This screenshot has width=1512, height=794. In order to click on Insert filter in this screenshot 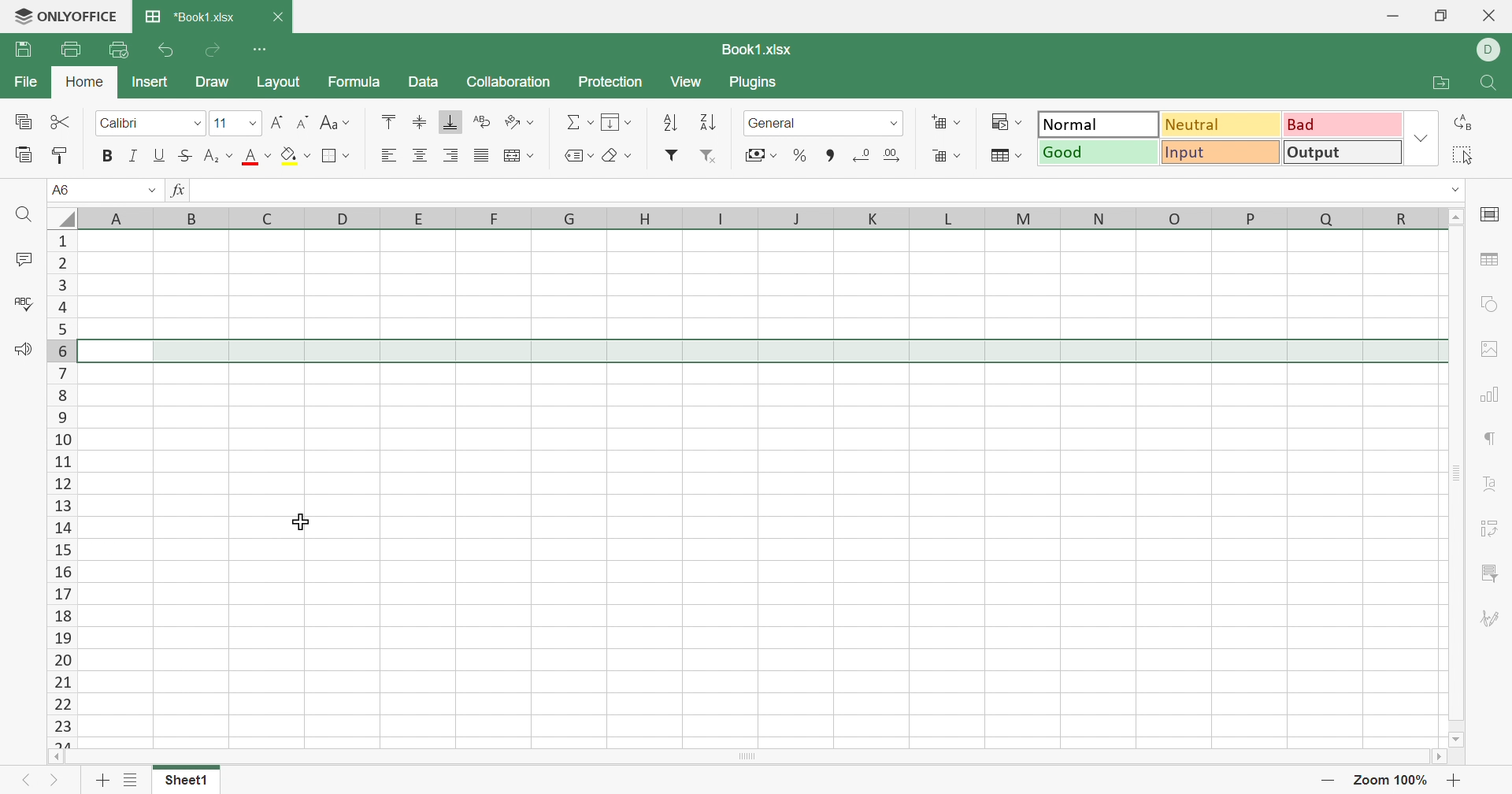, I will do `click(674, 155)`.